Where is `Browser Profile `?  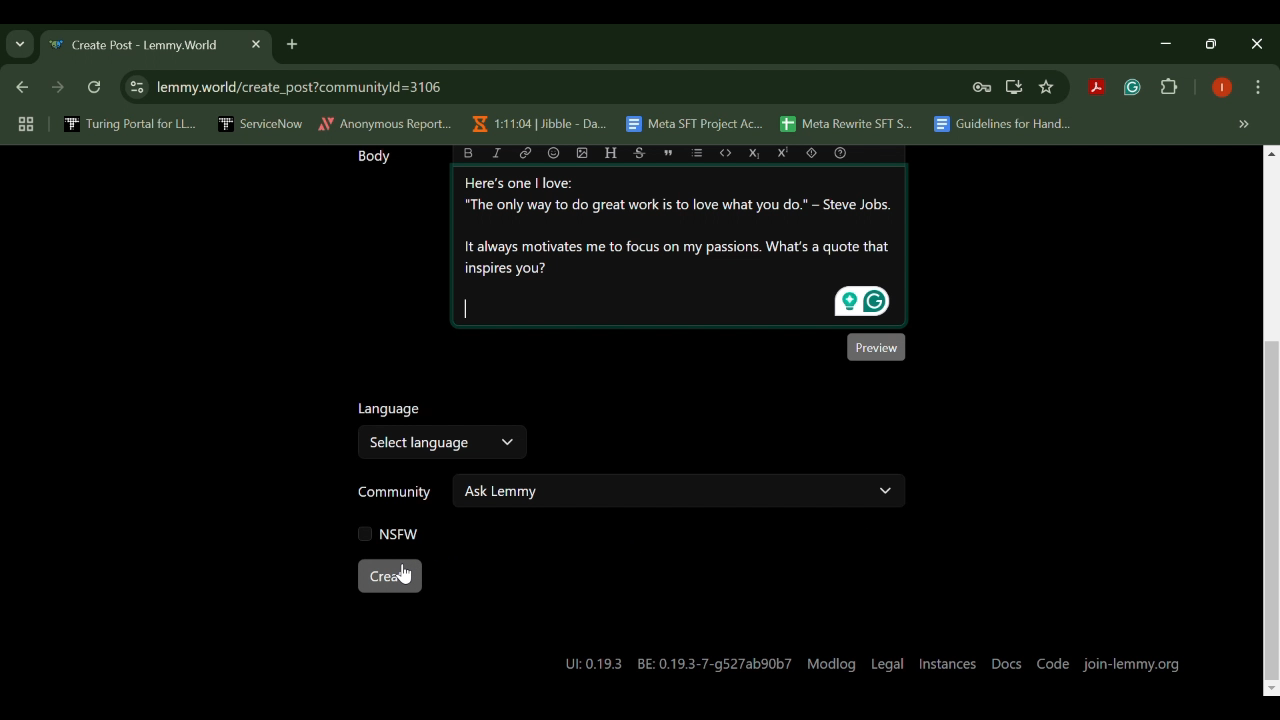 Browser Profile  is located at coordinates (1222, 89).